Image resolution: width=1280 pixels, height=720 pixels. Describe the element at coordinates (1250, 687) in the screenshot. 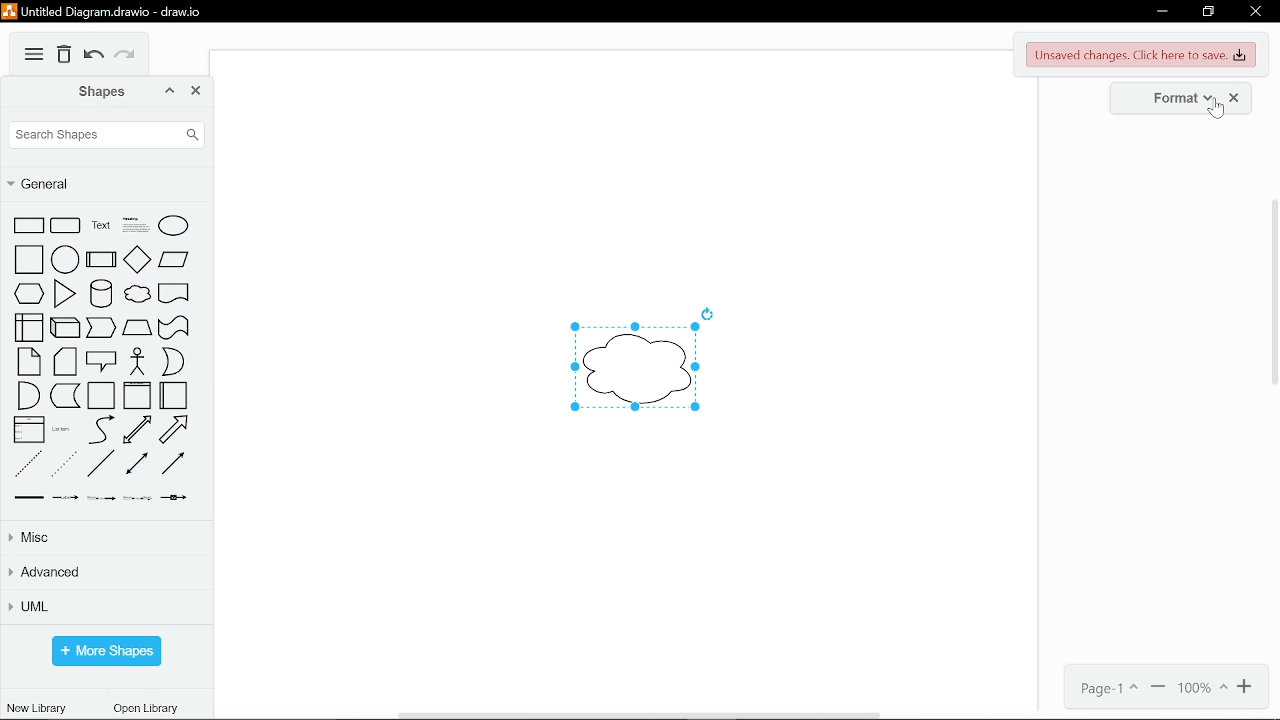

I see `zoom in` at that location.